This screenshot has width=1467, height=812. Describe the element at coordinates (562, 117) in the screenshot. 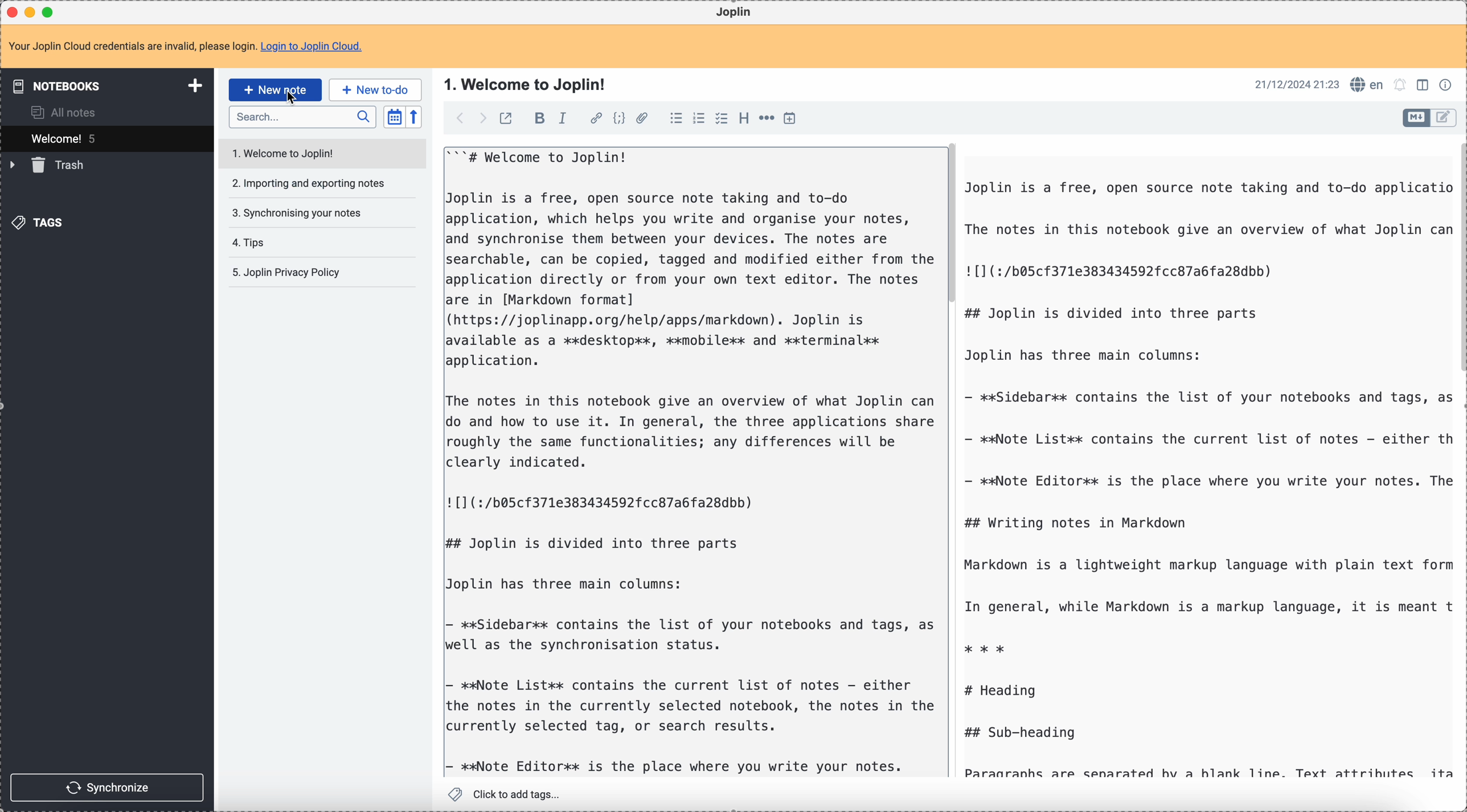

I see `italic` at that location.